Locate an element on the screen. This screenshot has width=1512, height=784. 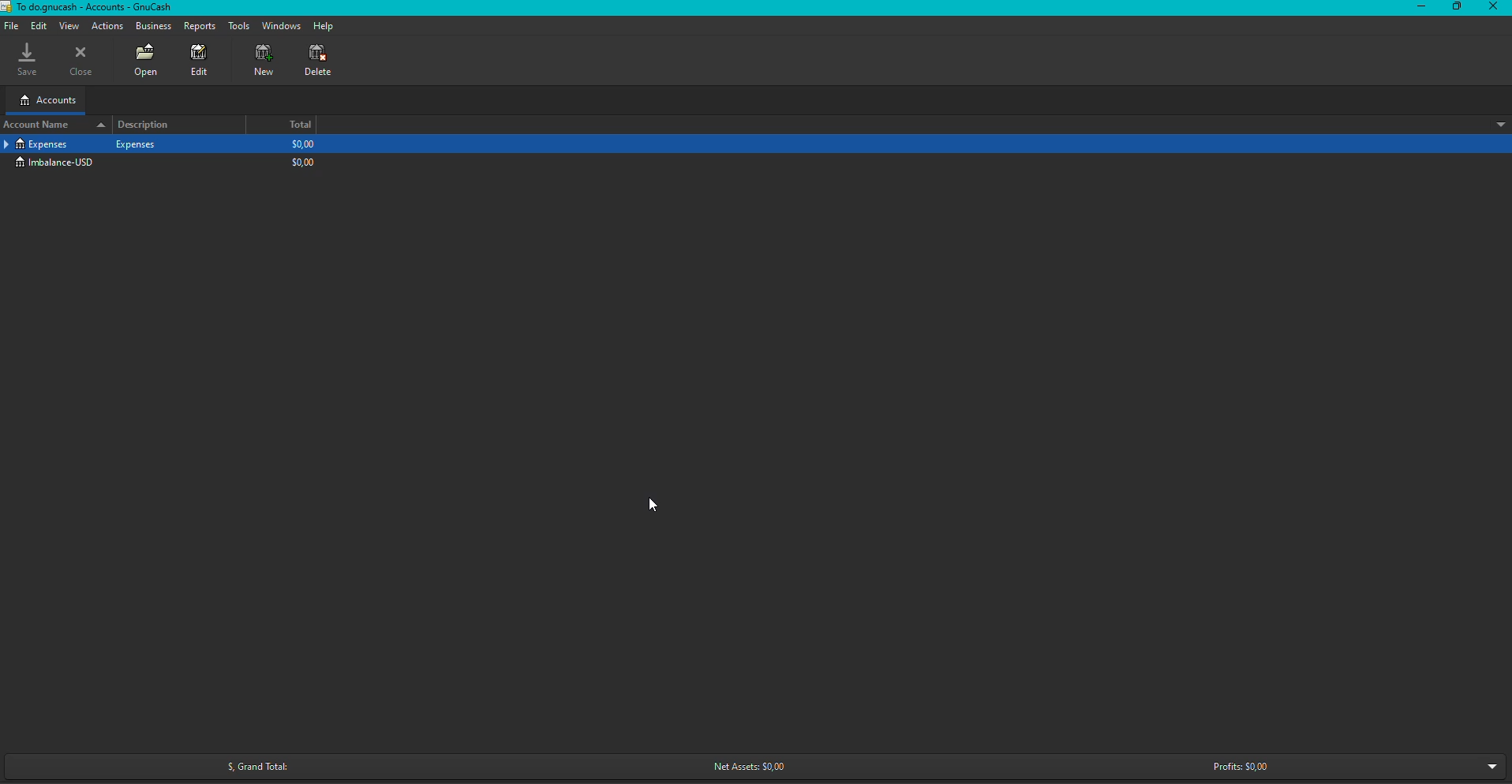
Net Assets is located at coordinates (750, 763).